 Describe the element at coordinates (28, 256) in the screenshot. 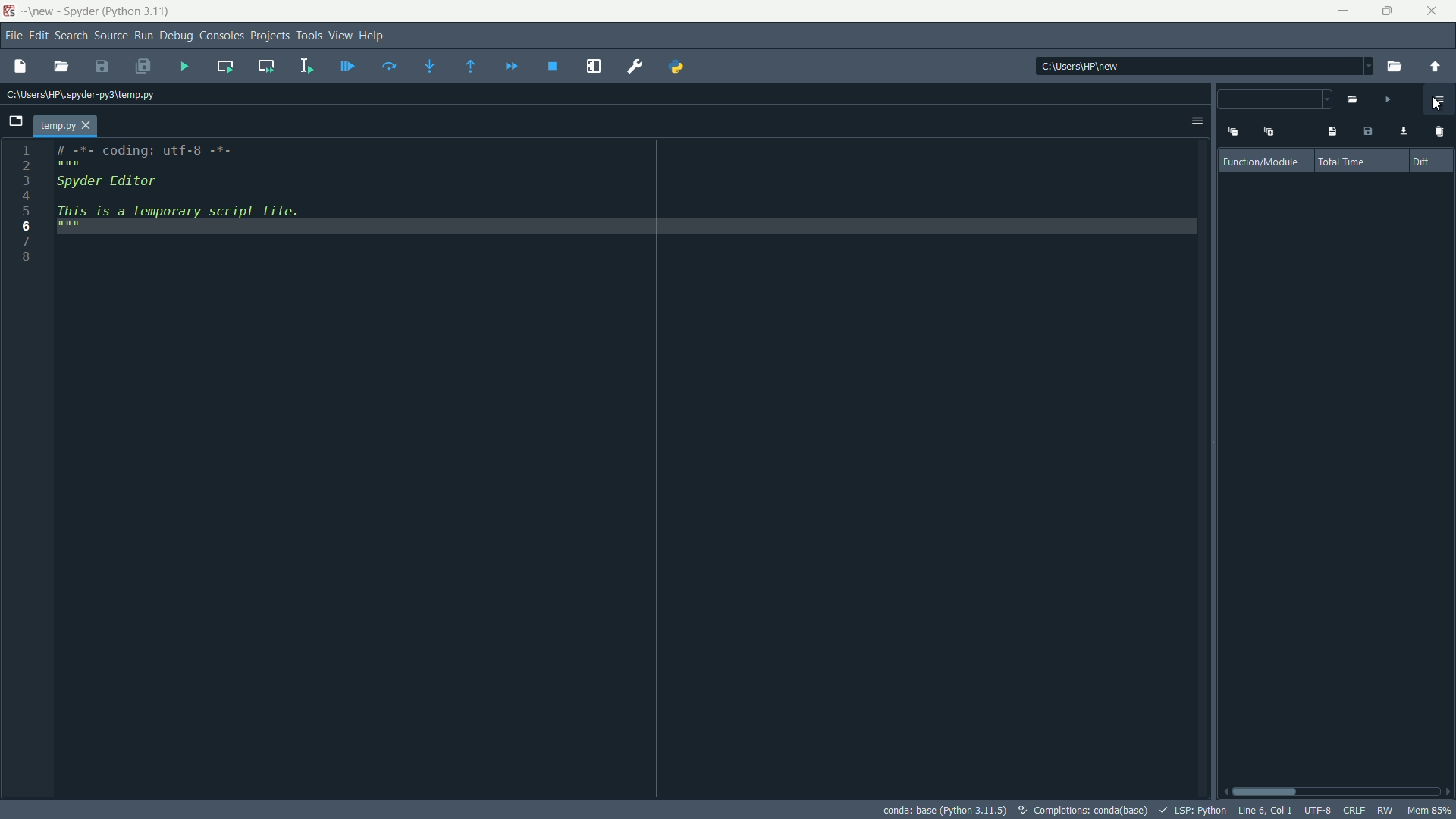

I see `8` at that location.